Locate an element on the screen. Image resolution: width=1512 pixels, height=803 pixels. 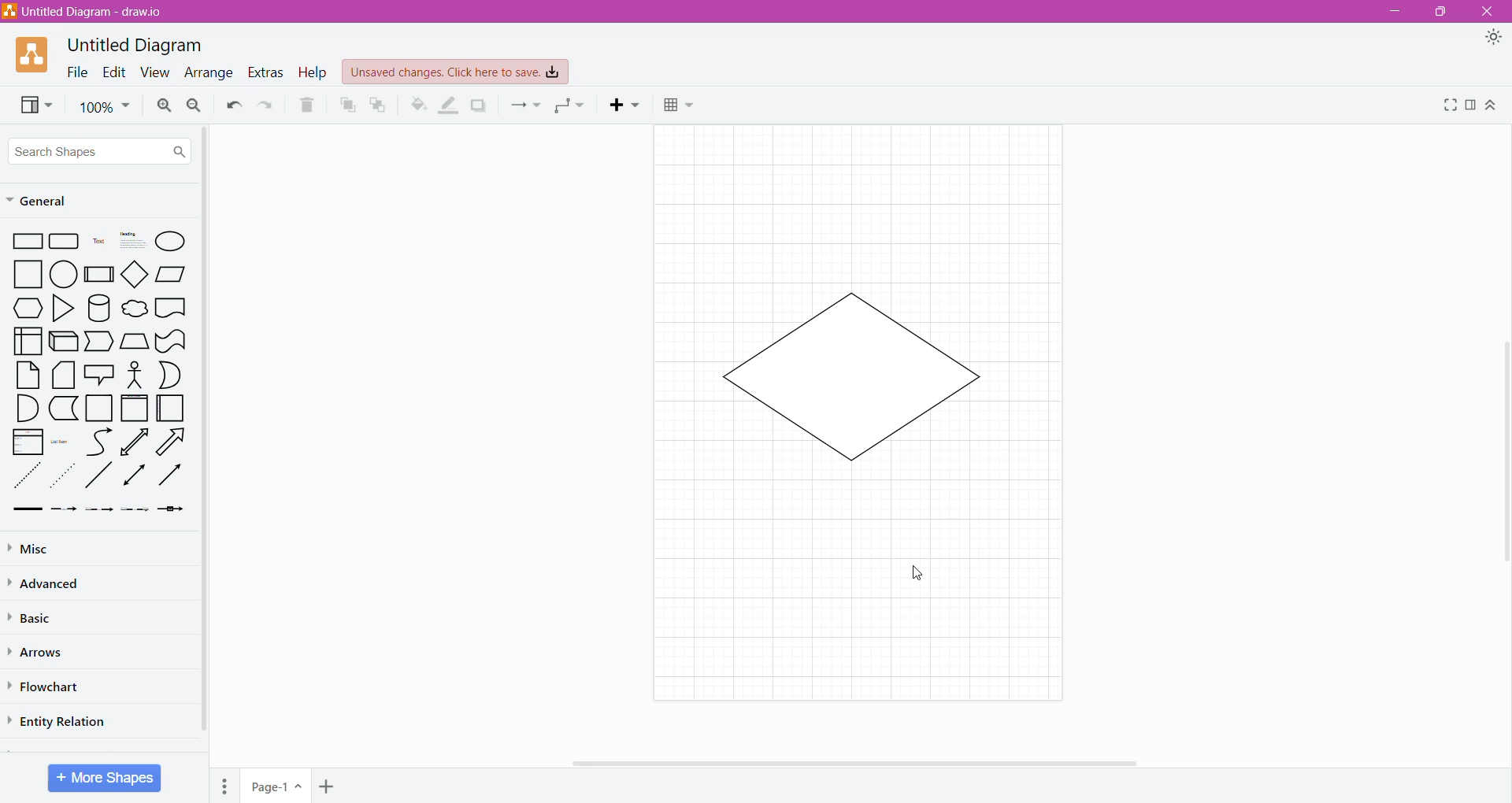
Connection is located at coordinates (526, 105).